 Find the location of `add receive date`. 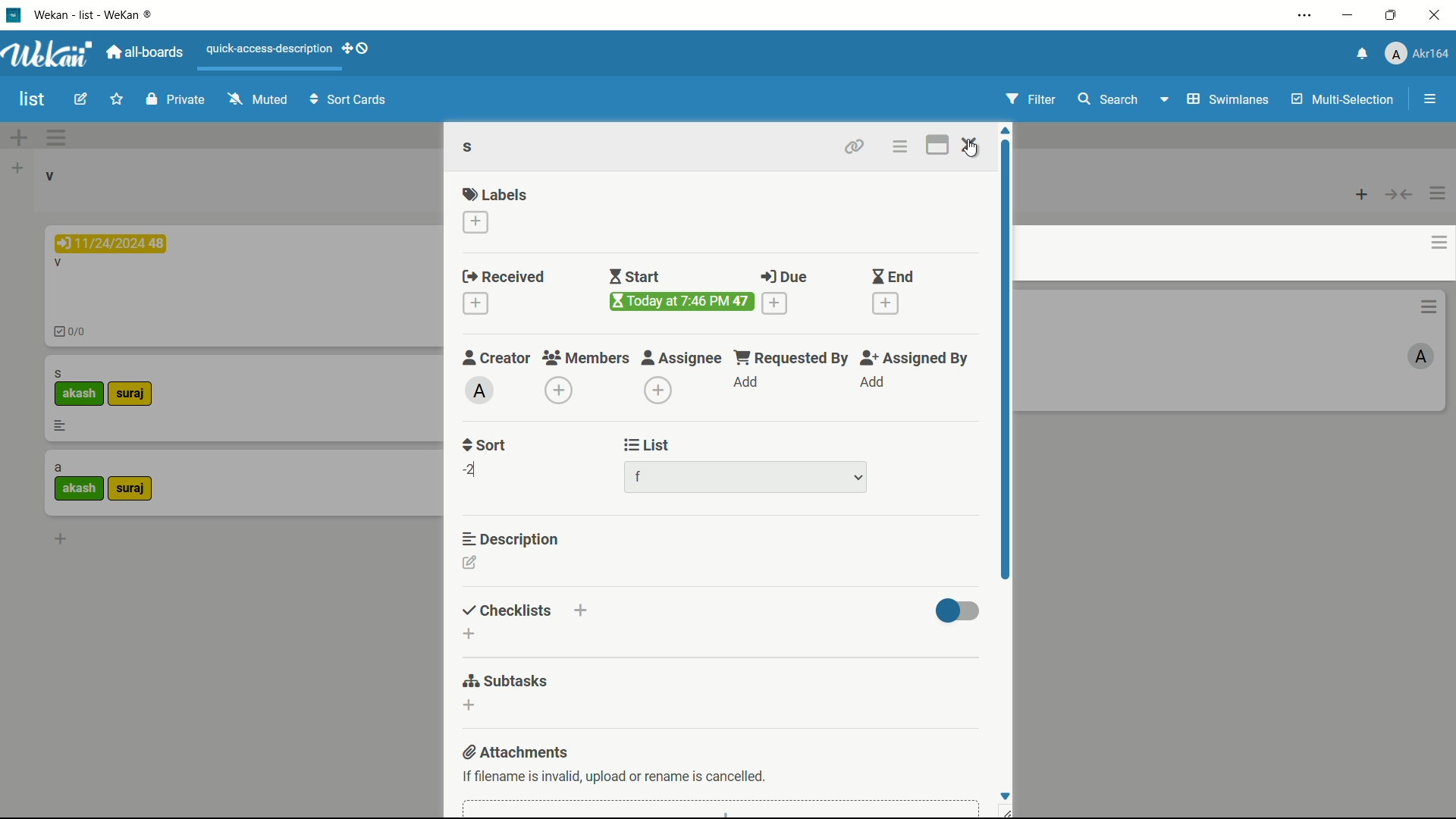

add receive date is located at coordinates (475, 303).